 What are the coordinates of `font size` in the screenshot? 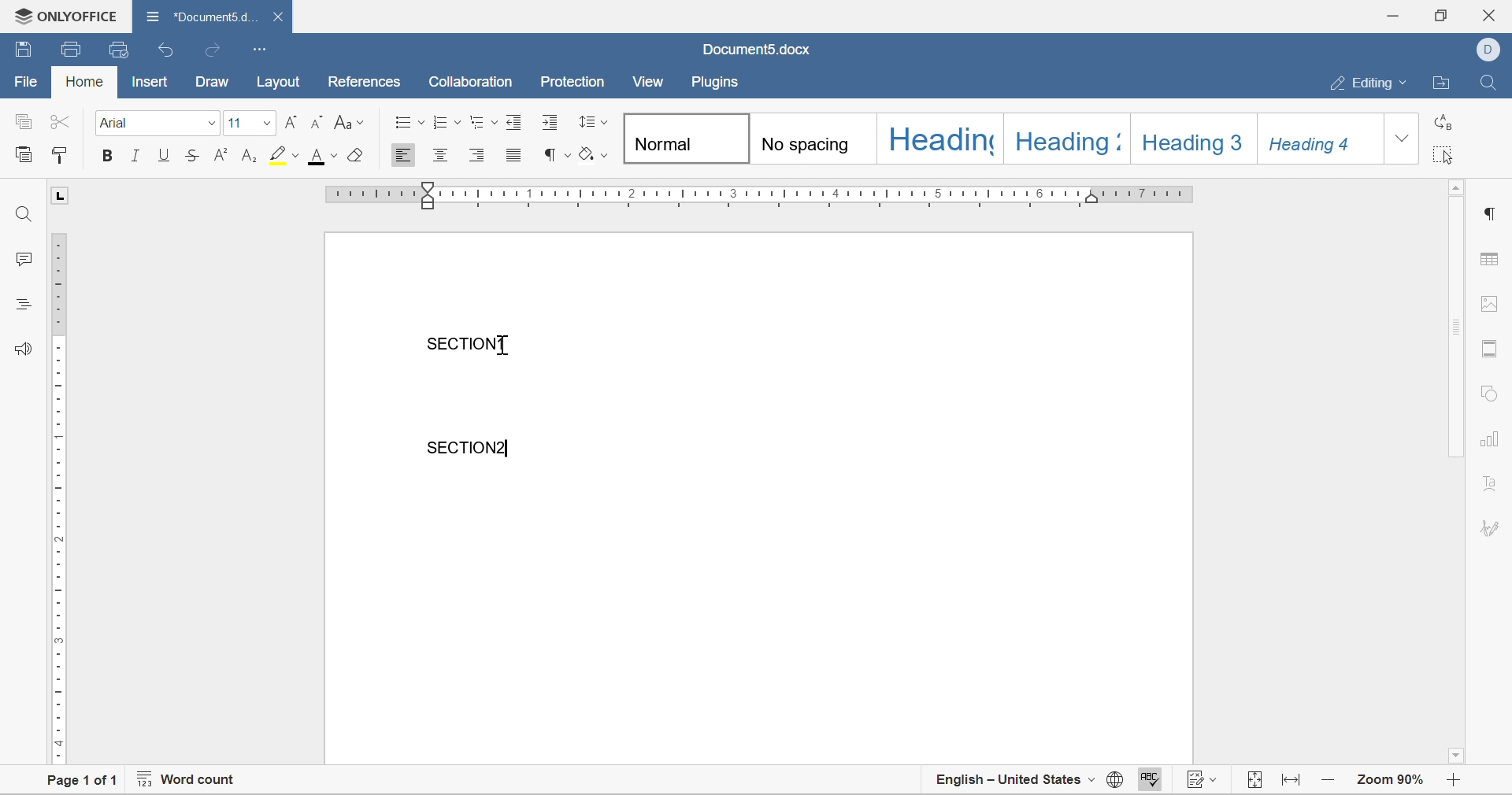 It's located at (236, 124).